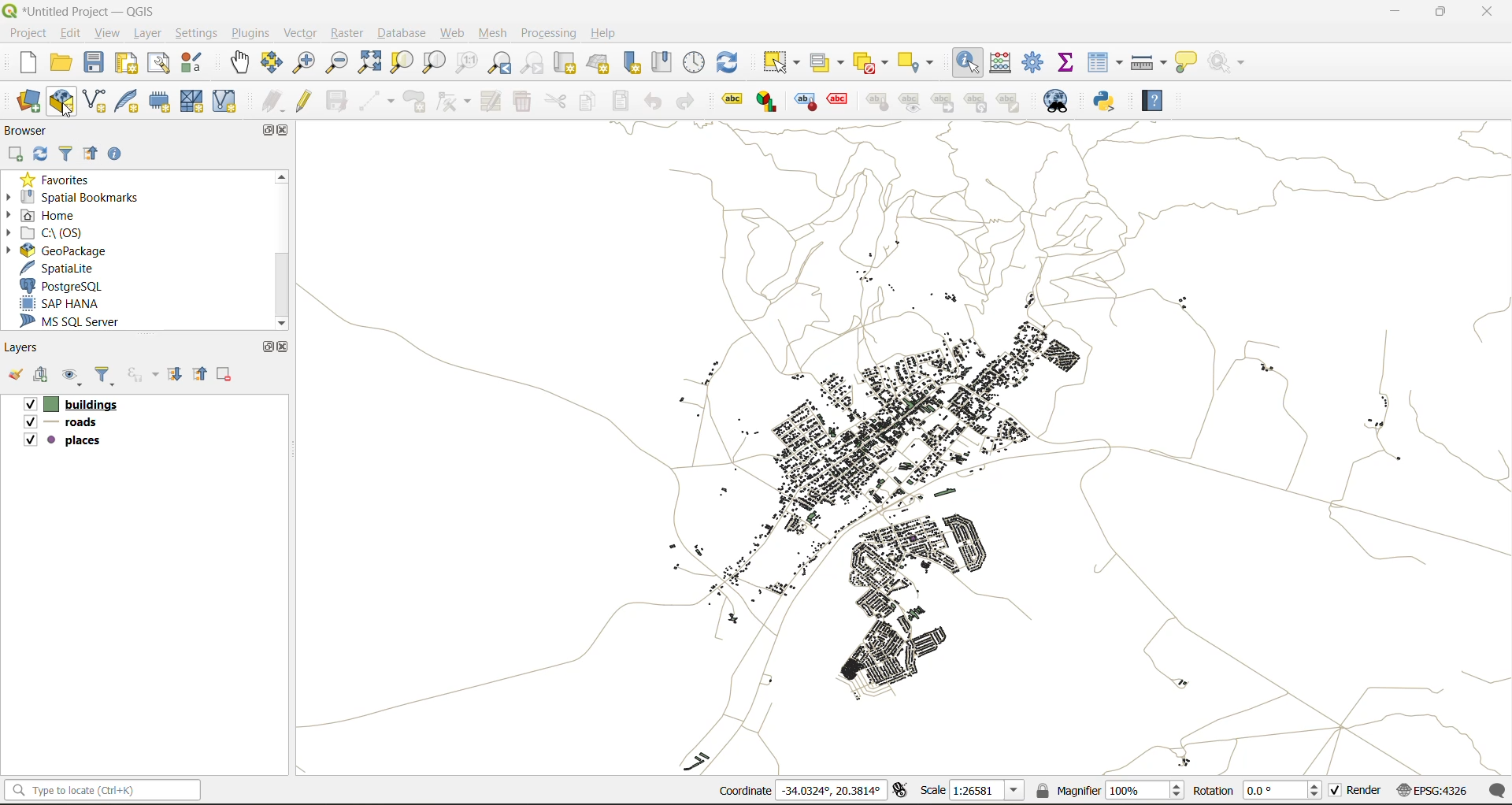  Describe the element at coordinates (524, 104) in the screenshot. I see `delete` at that location.